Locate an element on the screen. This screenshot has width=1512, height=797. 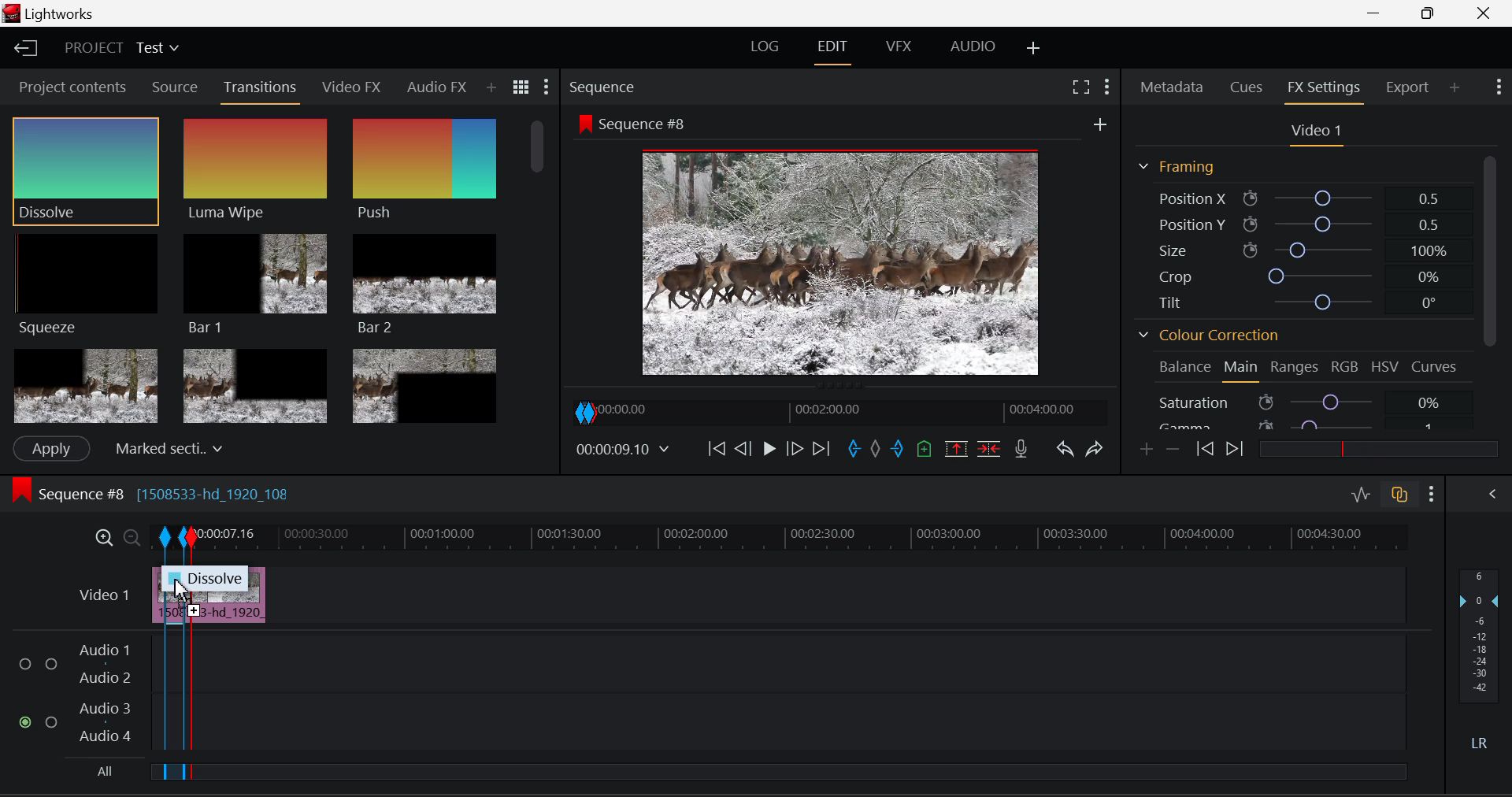
Audio Layout is located at coordinates (969, 50).